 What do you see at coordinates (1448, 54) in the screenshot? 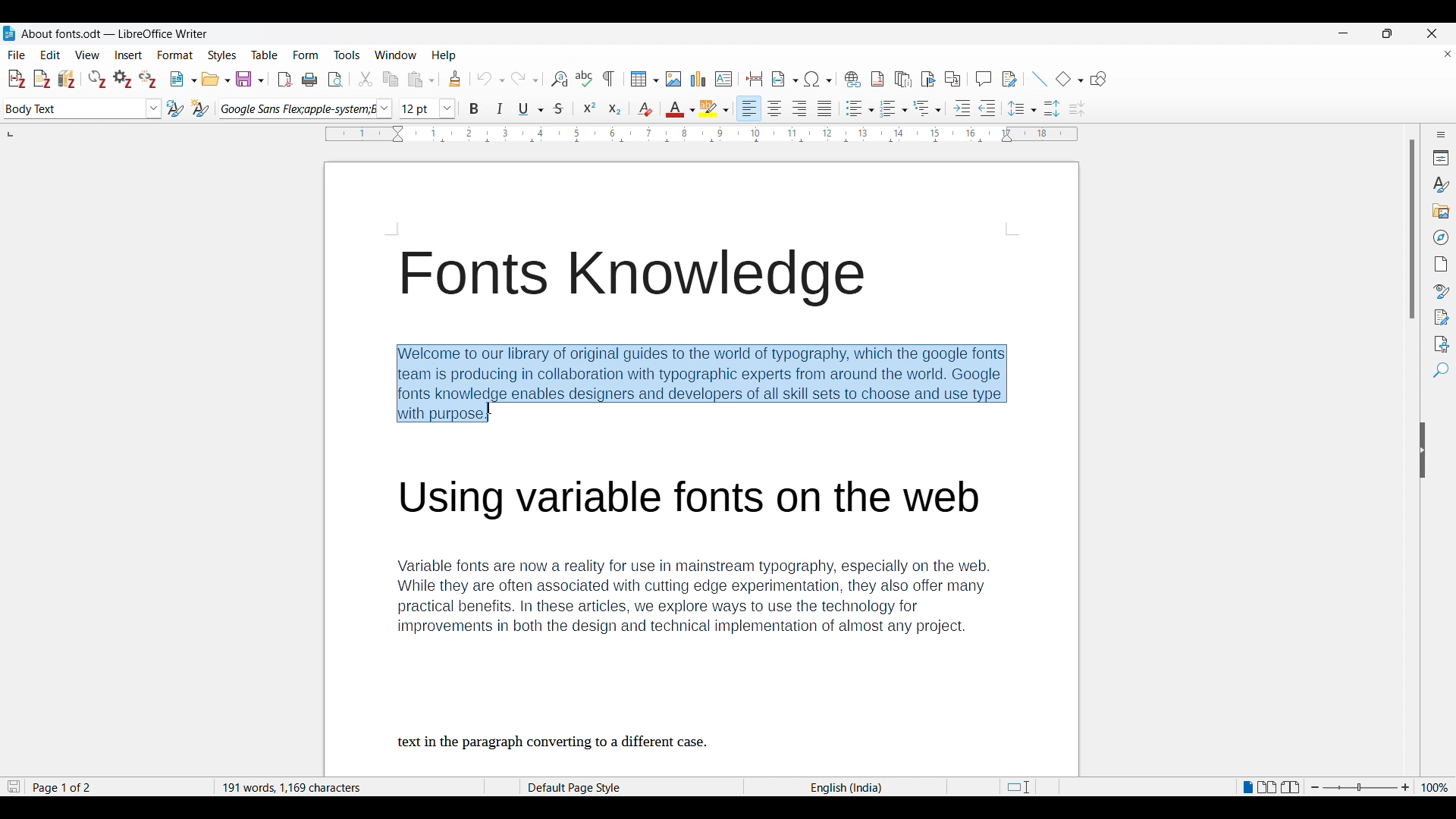
I see `Close document` at bounding box center [1448, 54].